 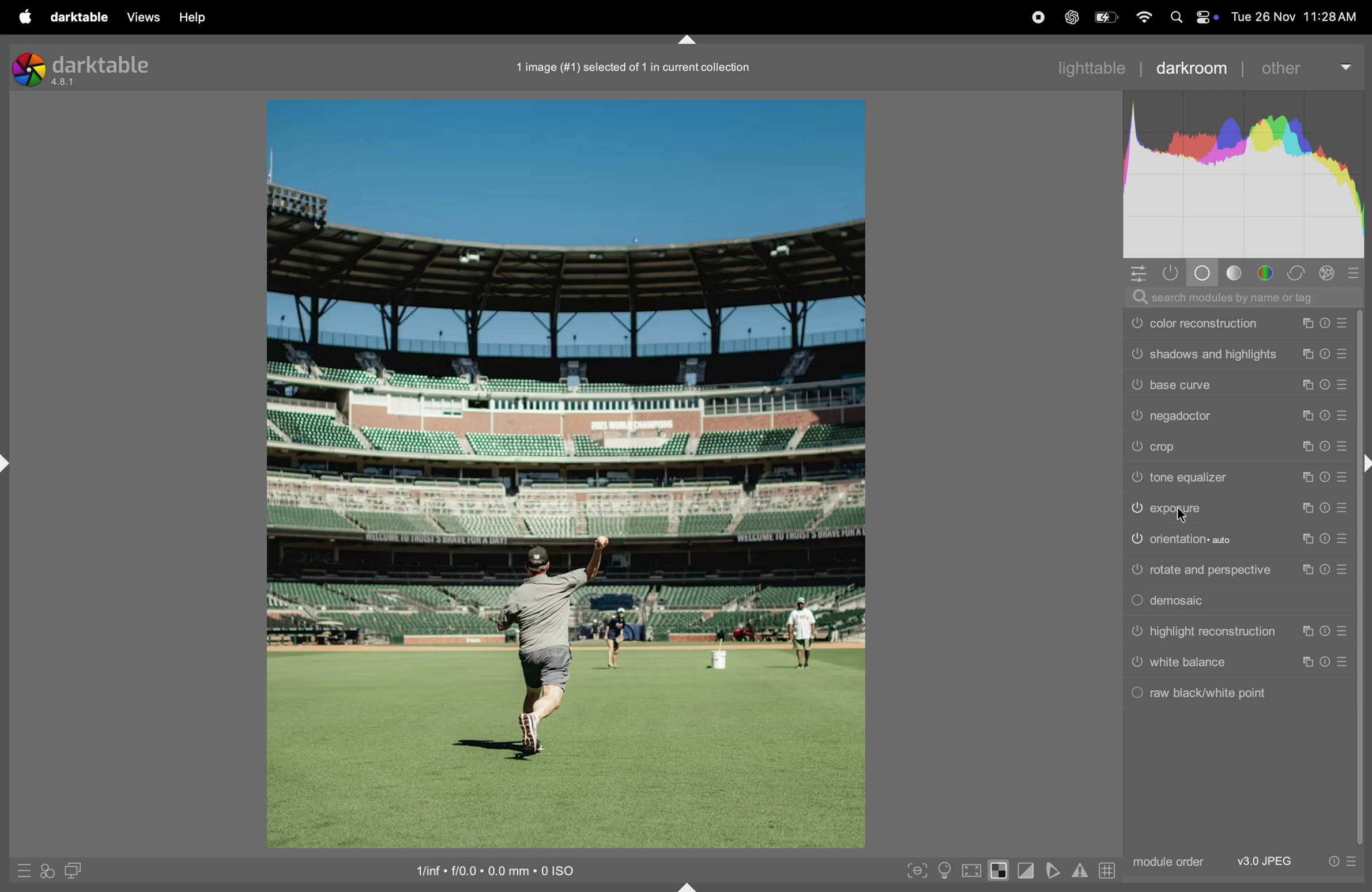 What do you see at coordinates (1310, 384) in the screenshot?
I see `copy` at bounding box center [1310, 384].